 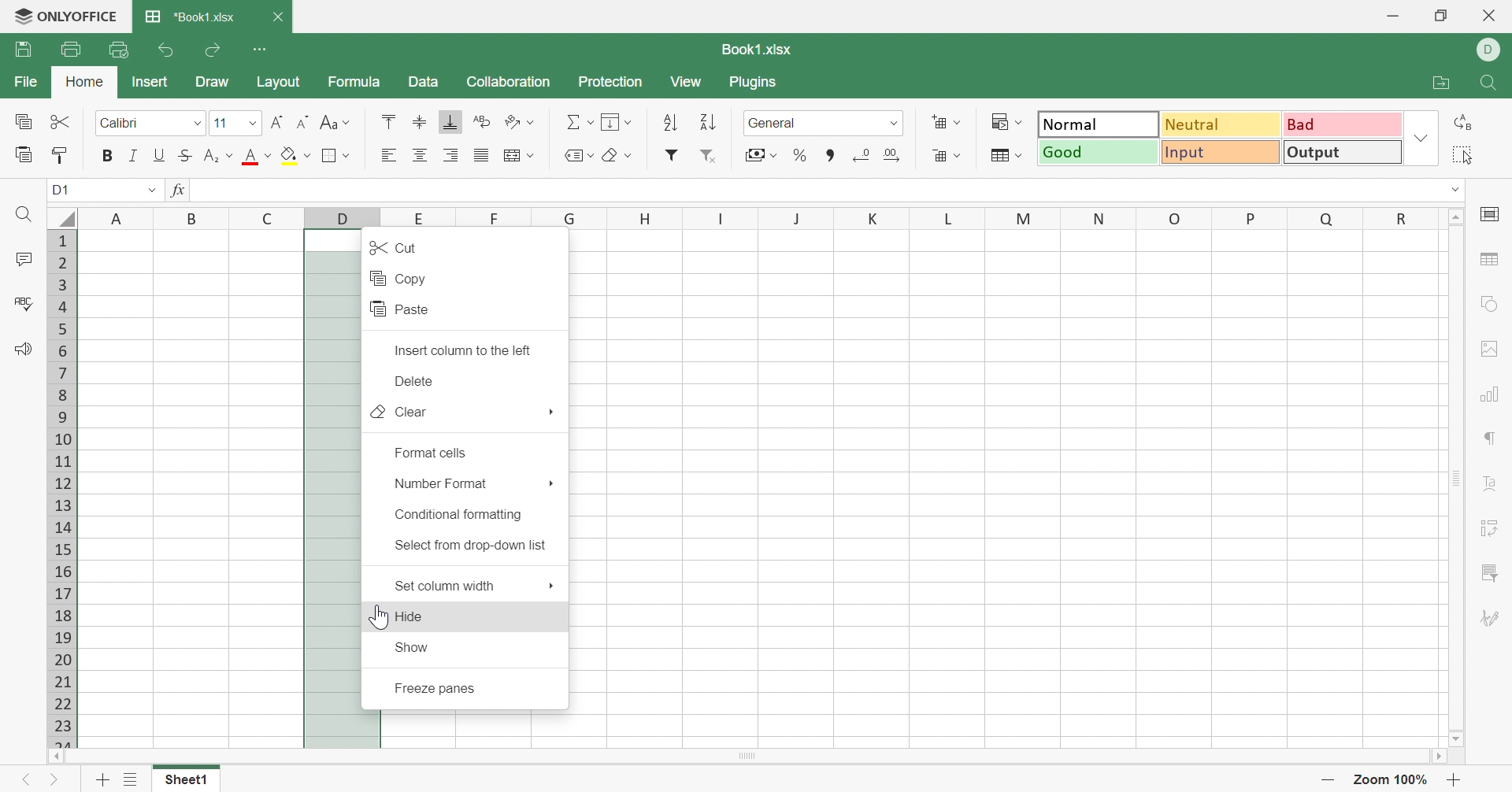 I want to click on Row names, so click(x=60, y=486).